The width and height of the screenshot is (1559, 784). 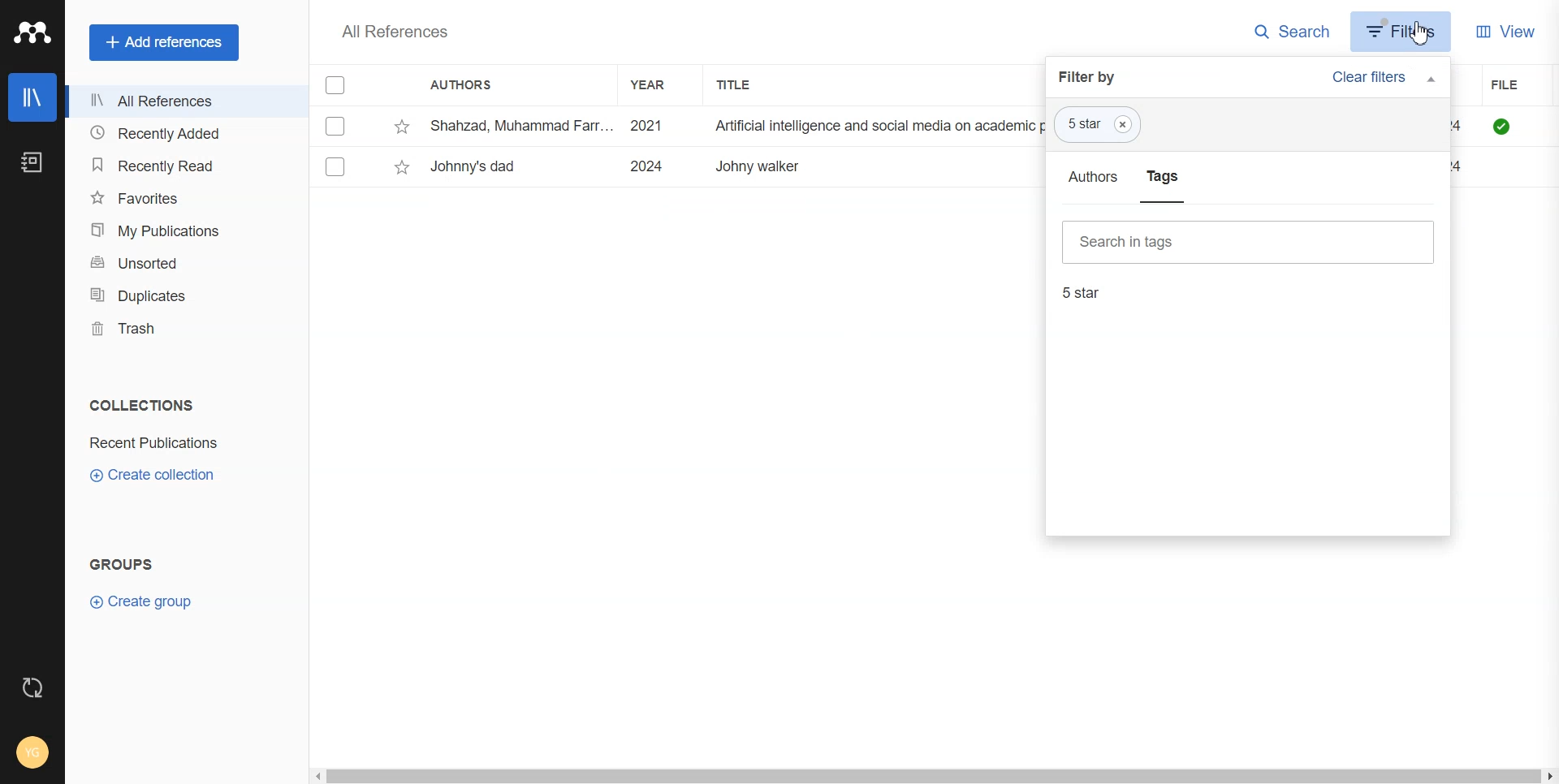 What do you see at coordinates (732, 127) in the screenshot?
I see `Shahzad, Muhammad Farr... 2021 Artificial intelligence and social media on academic performance and mental ...  Heliyon 12/18/2024` at bounding box center [732, 127].